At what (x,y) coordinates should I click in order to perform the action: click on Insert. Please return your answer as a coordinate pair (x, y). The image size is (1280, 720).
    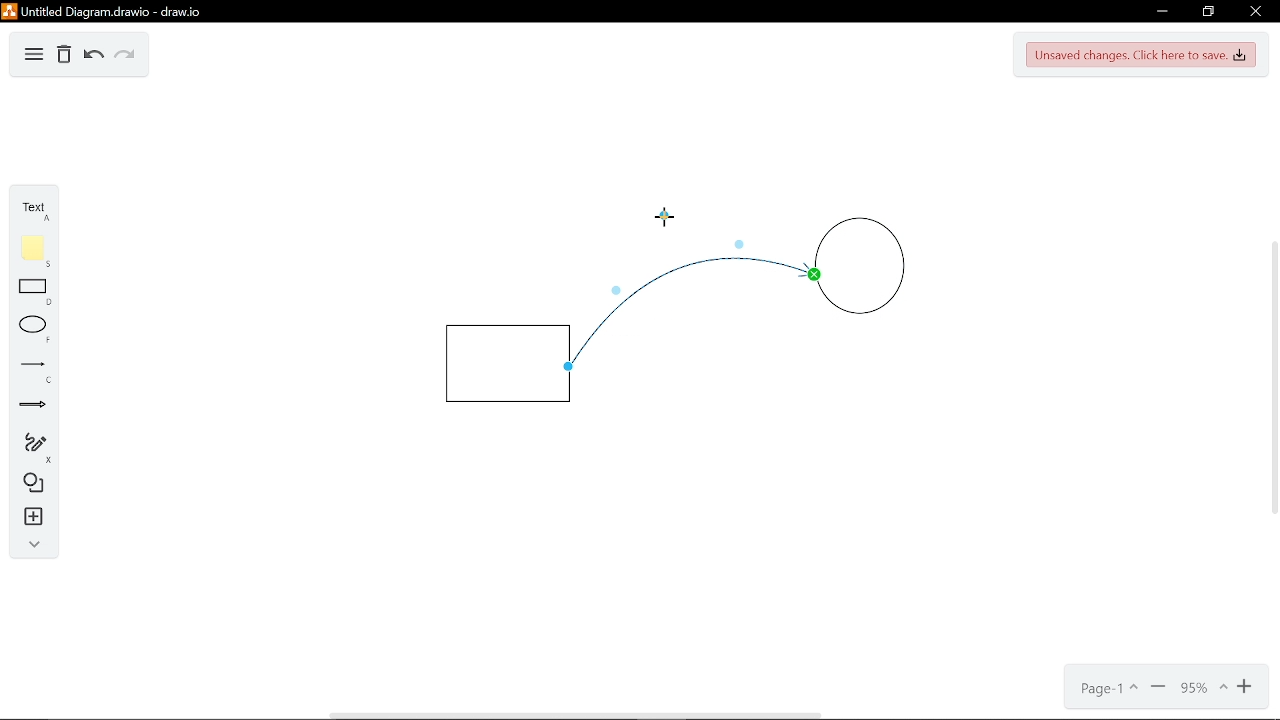
    Looking at the image, I should click on (29, 517).